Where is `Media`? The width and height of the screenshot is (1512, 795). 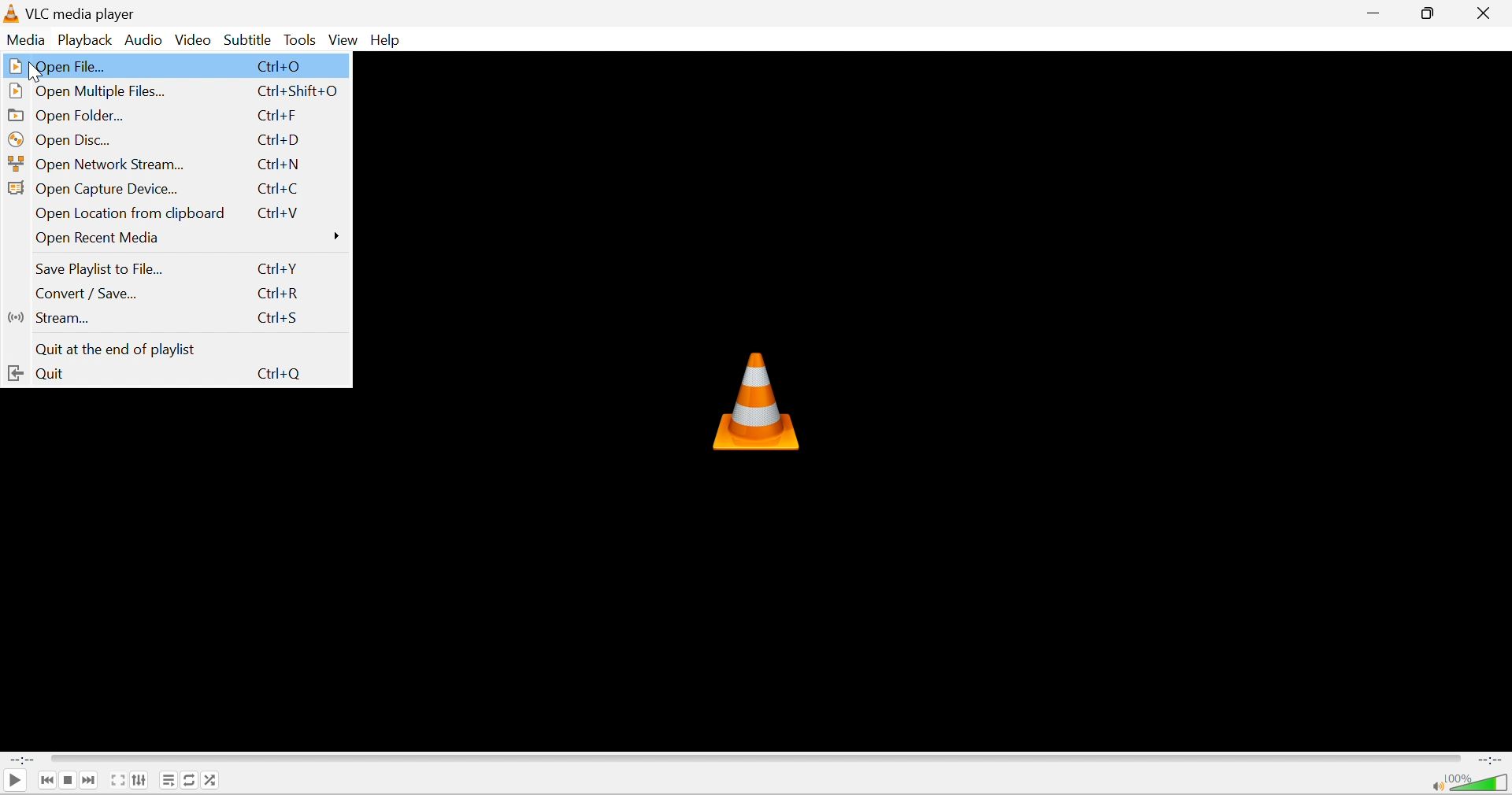
Media is located at coordinates (29, 40).